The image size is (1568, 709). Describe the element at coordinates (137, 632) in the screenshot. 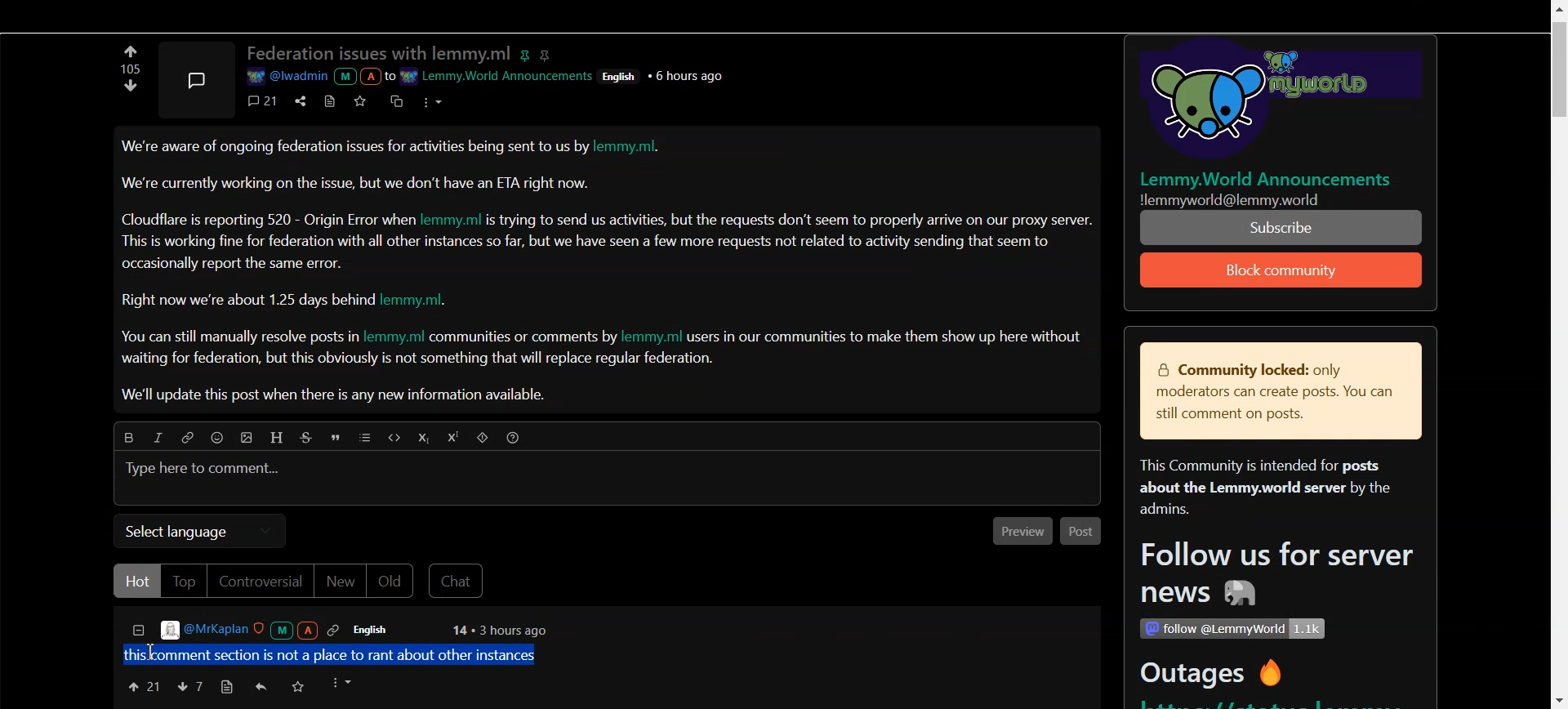

I see `Collapse` at that location.